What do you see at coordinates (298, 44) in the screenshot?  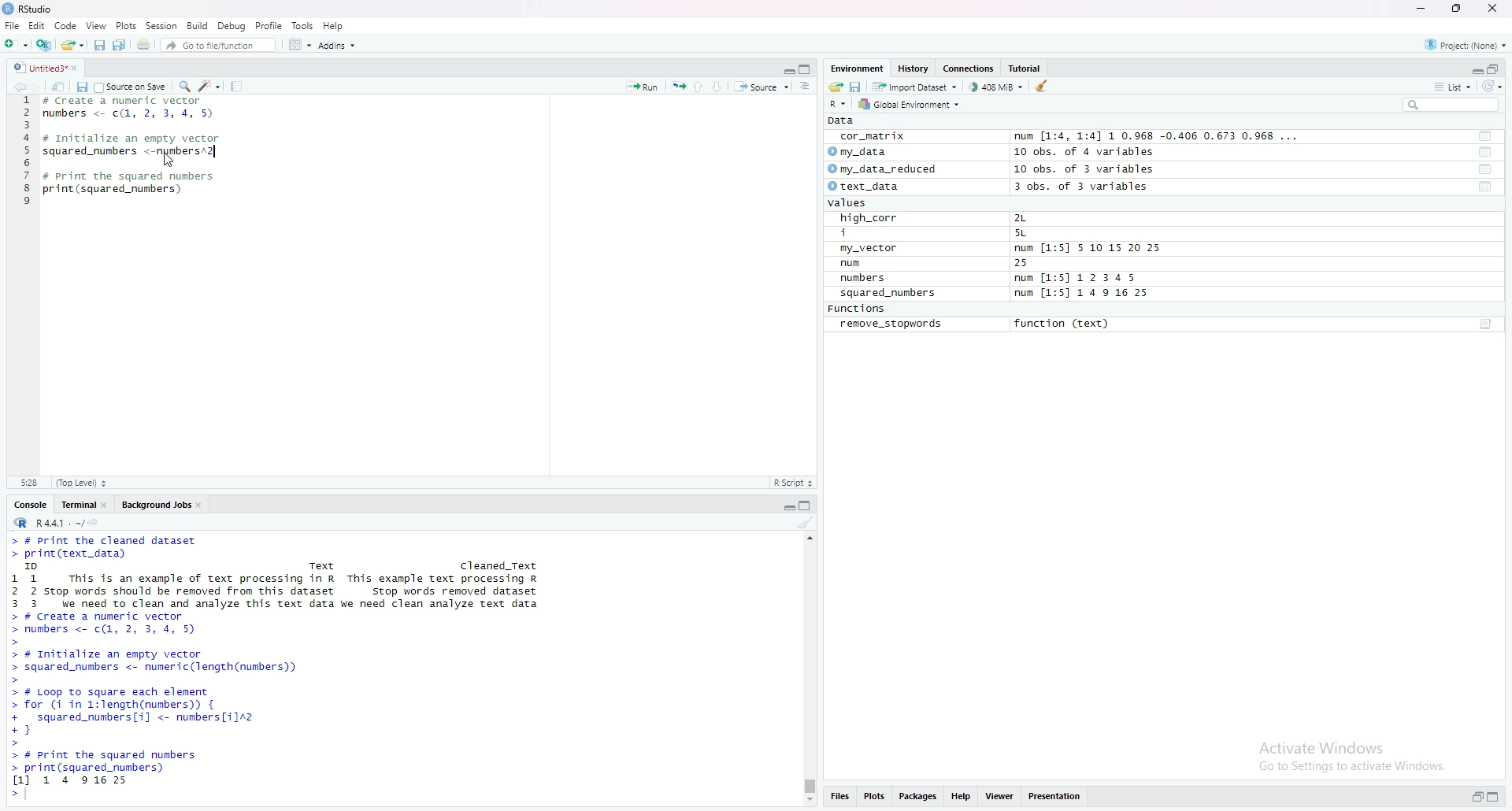 I see `Workspace panes` at bounding box center [298, 44].